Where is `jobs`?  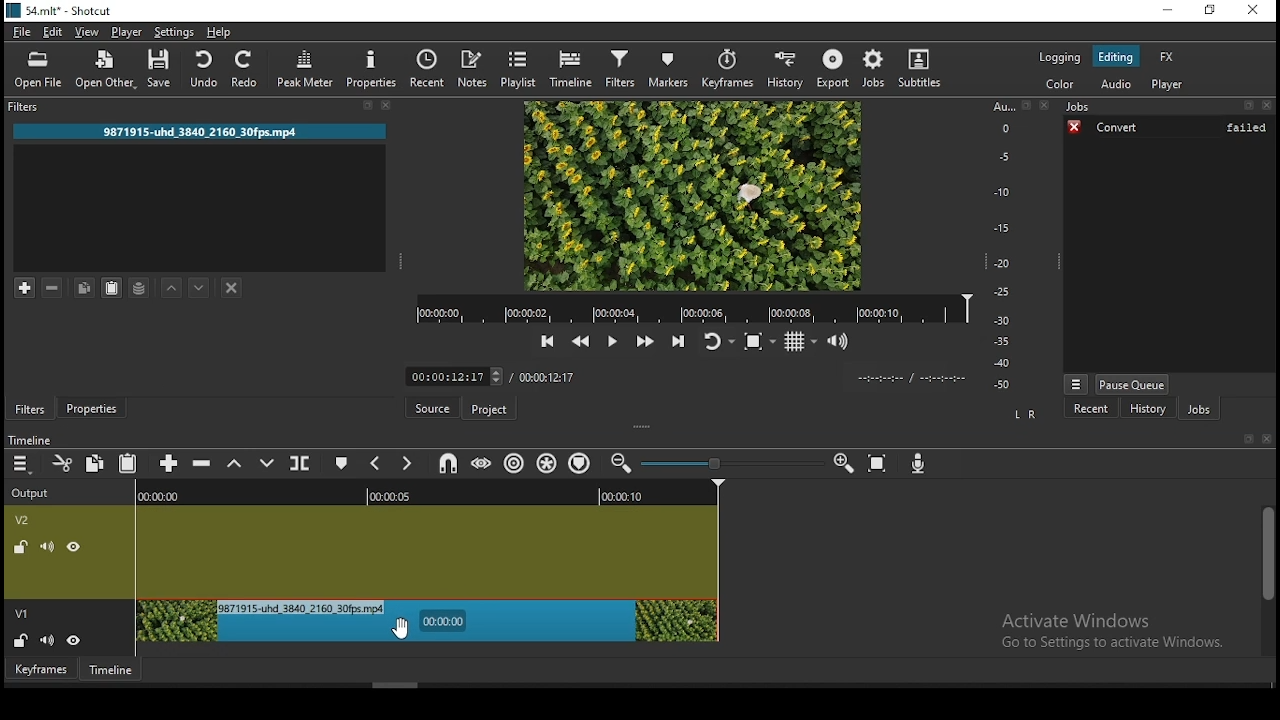 jobs is located at coordinates (1201, 409).